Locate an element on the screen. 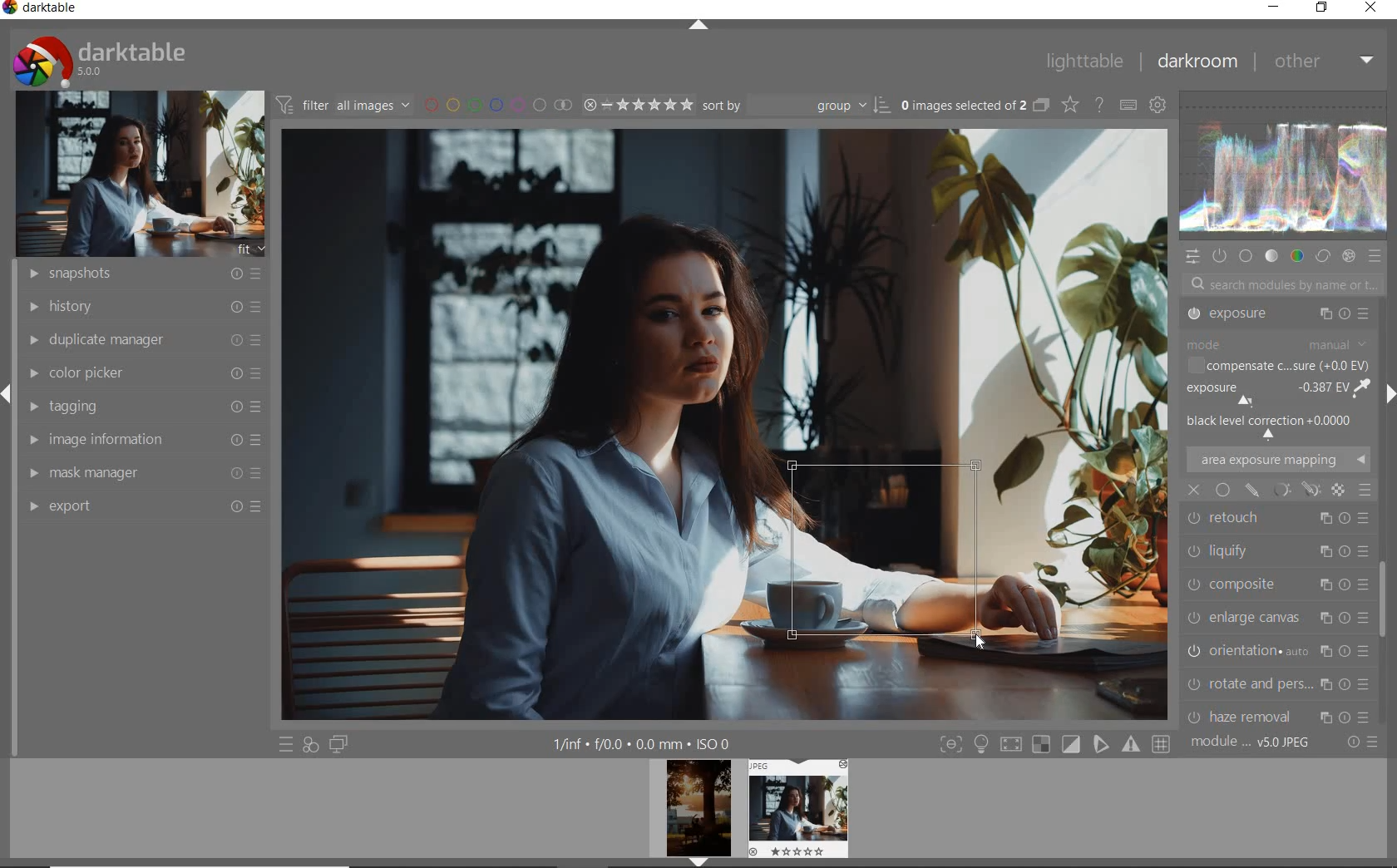 The height and width of the screenshot is (868, 1397). MINIMIZE is located at coordinates (1271, 7).